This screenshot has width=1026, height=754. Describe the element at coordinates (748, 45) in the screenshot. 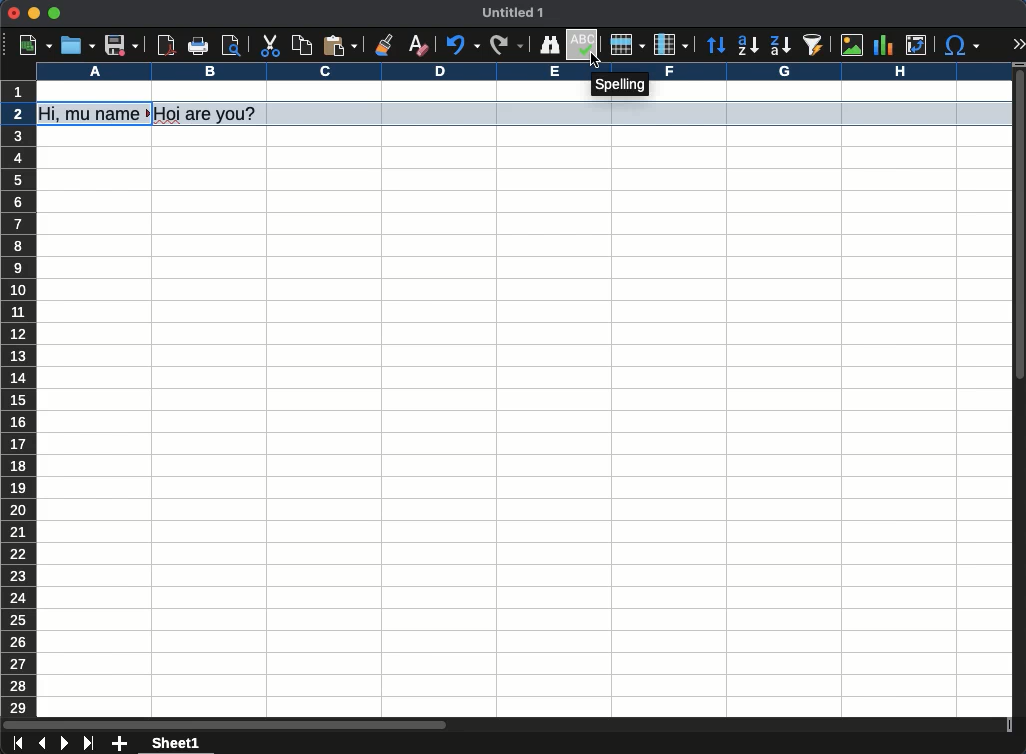

I see `ascending` at that location.